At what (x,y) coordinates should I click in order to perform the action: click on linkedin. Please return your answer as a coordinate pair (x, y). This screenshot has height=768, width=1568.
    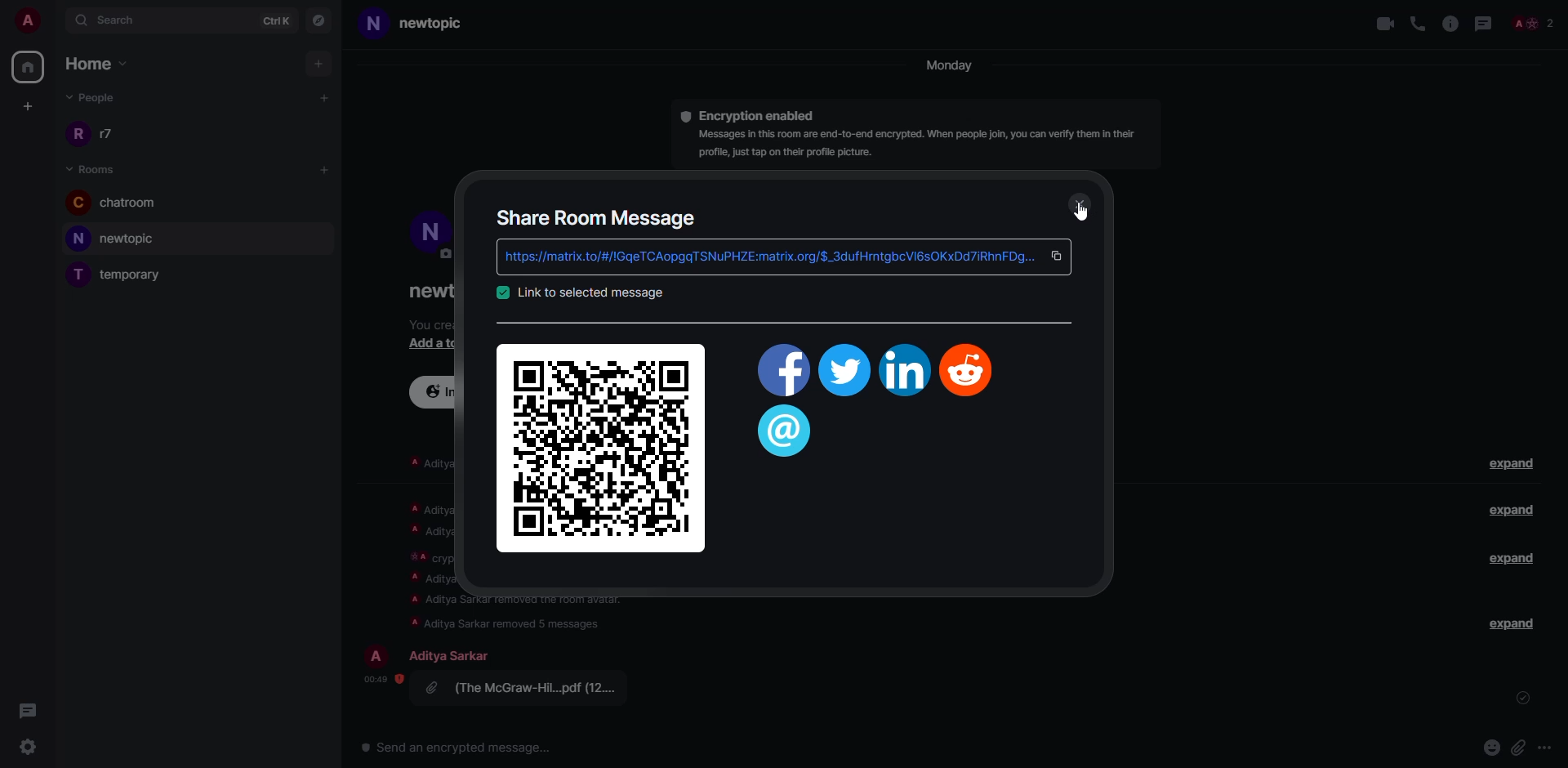
    Looking at the image, I should click on (902, 371).